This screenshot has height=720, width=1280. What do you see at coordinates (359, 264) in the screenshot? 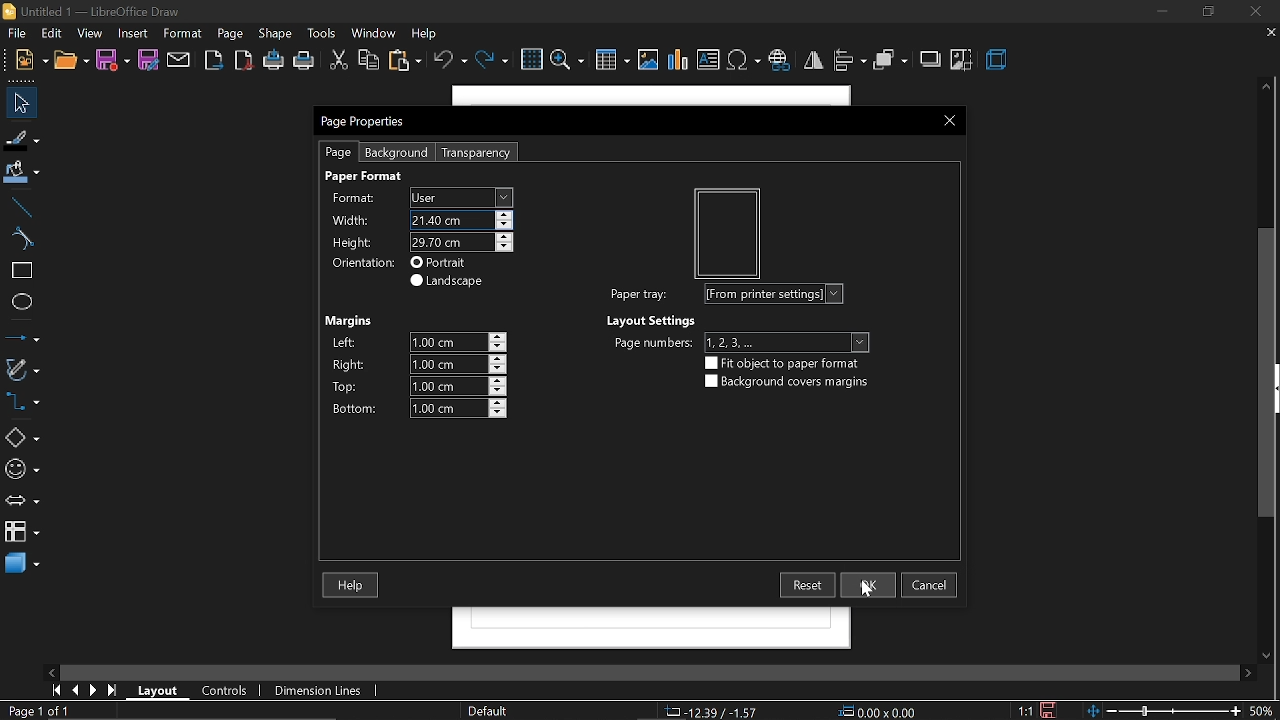
I see `Orientation` at bounding box center [359, 264].